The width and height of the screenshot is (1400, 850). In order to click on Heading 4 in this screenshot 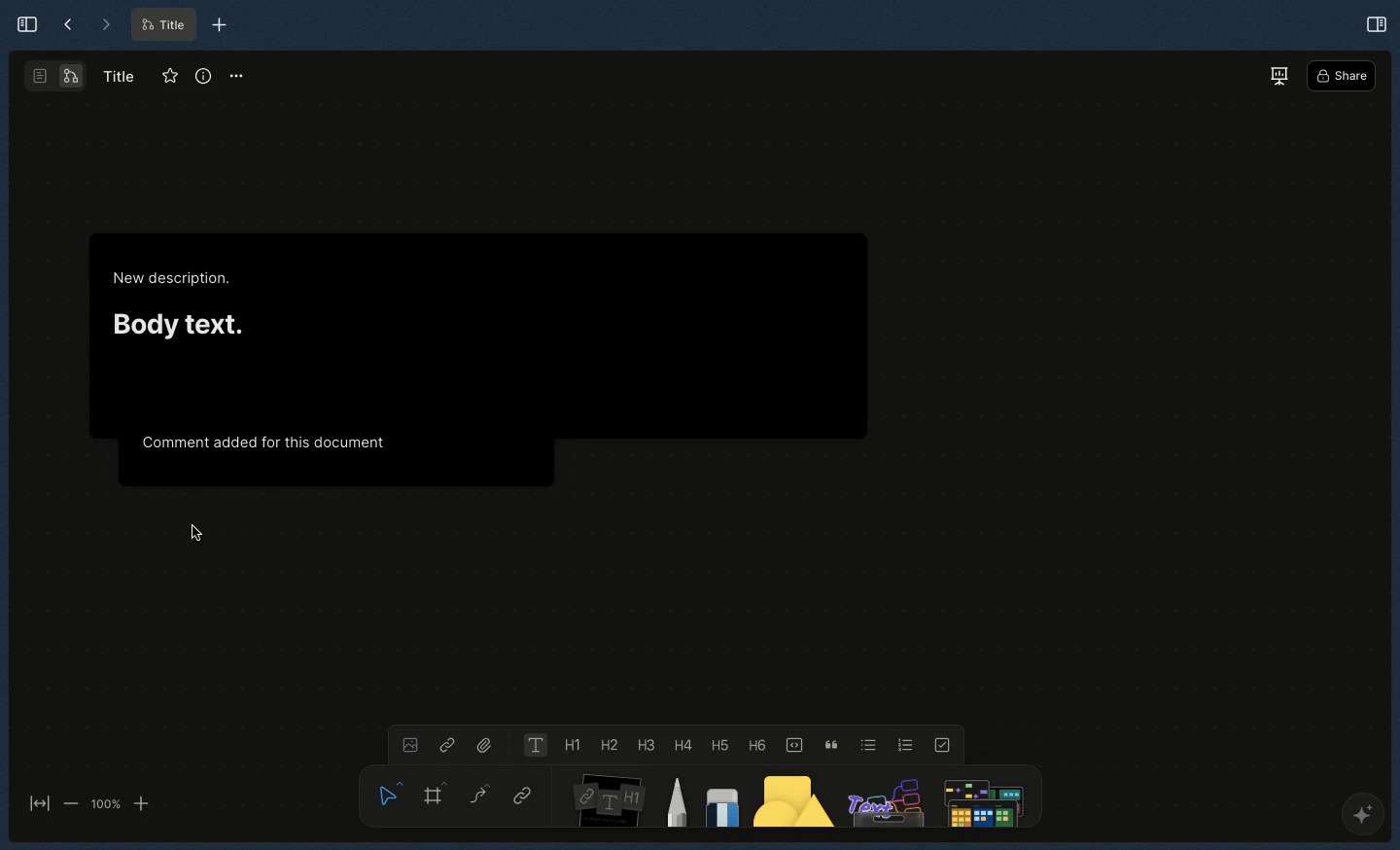, I will do `click(682, 745)`.